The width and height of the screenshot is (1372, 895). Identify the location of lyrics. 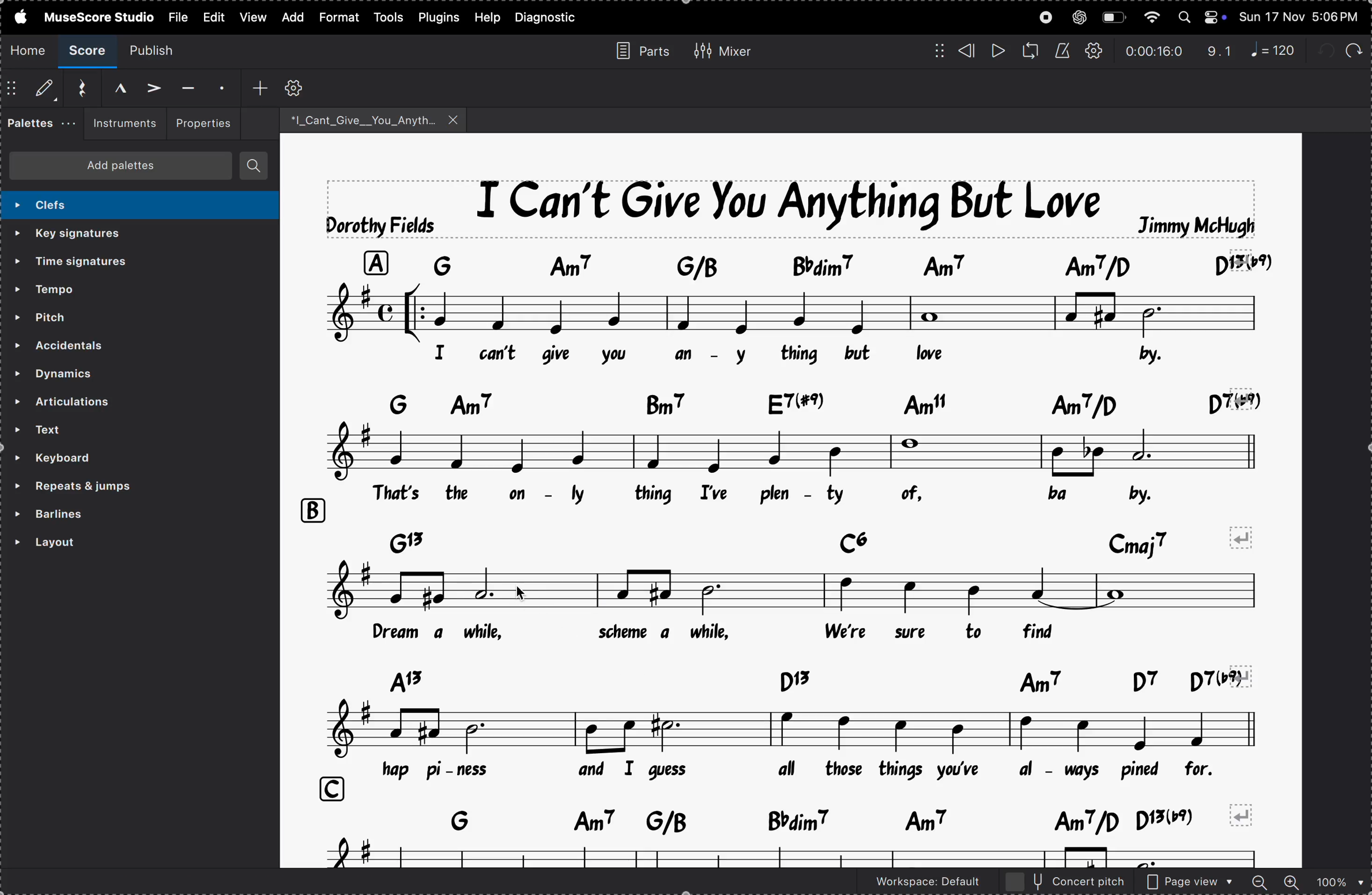
(798, 495).